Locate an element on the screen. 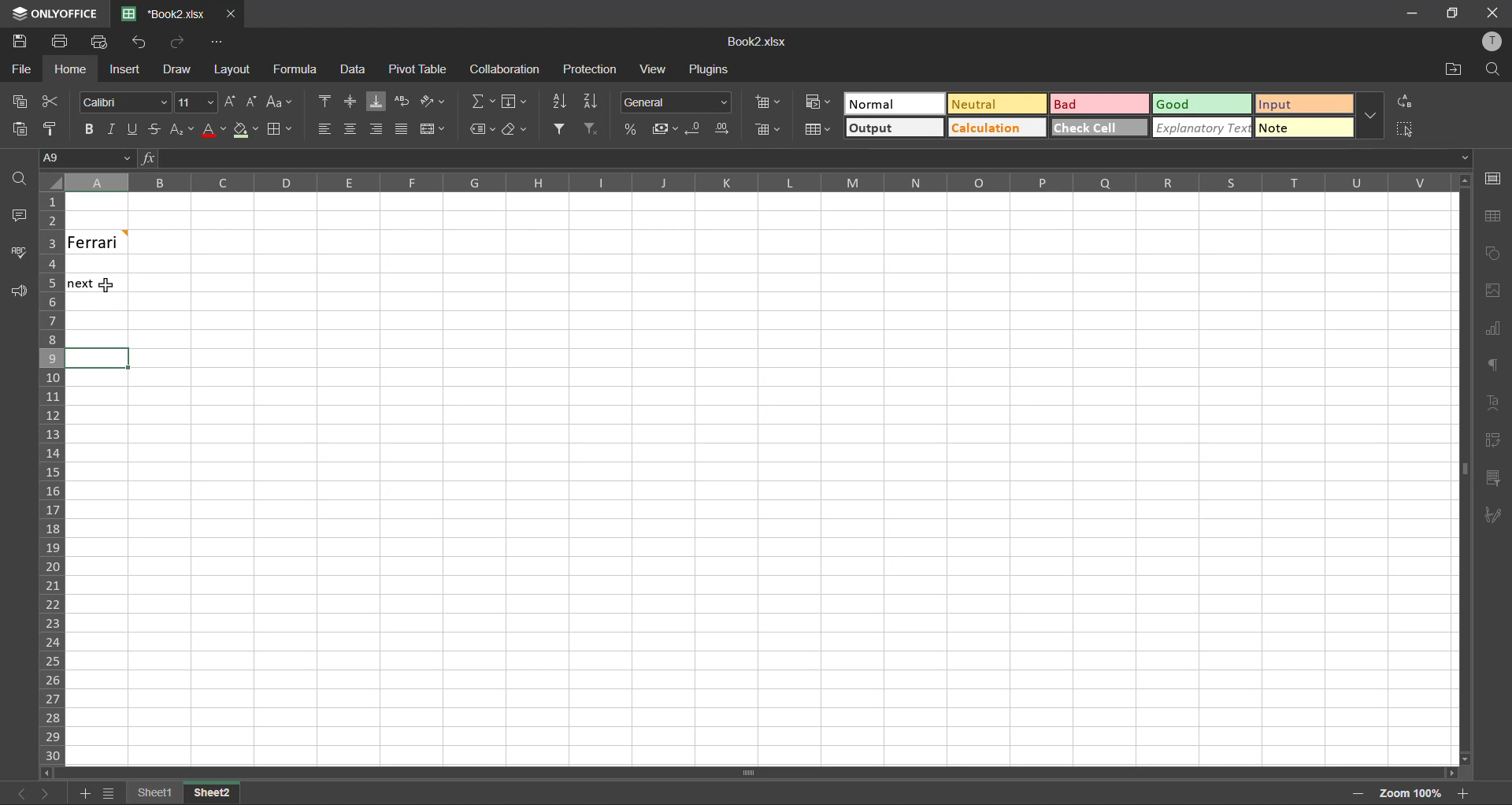 This screenshot has height=805, width=1512. align top is located at coordinates (327, 102).